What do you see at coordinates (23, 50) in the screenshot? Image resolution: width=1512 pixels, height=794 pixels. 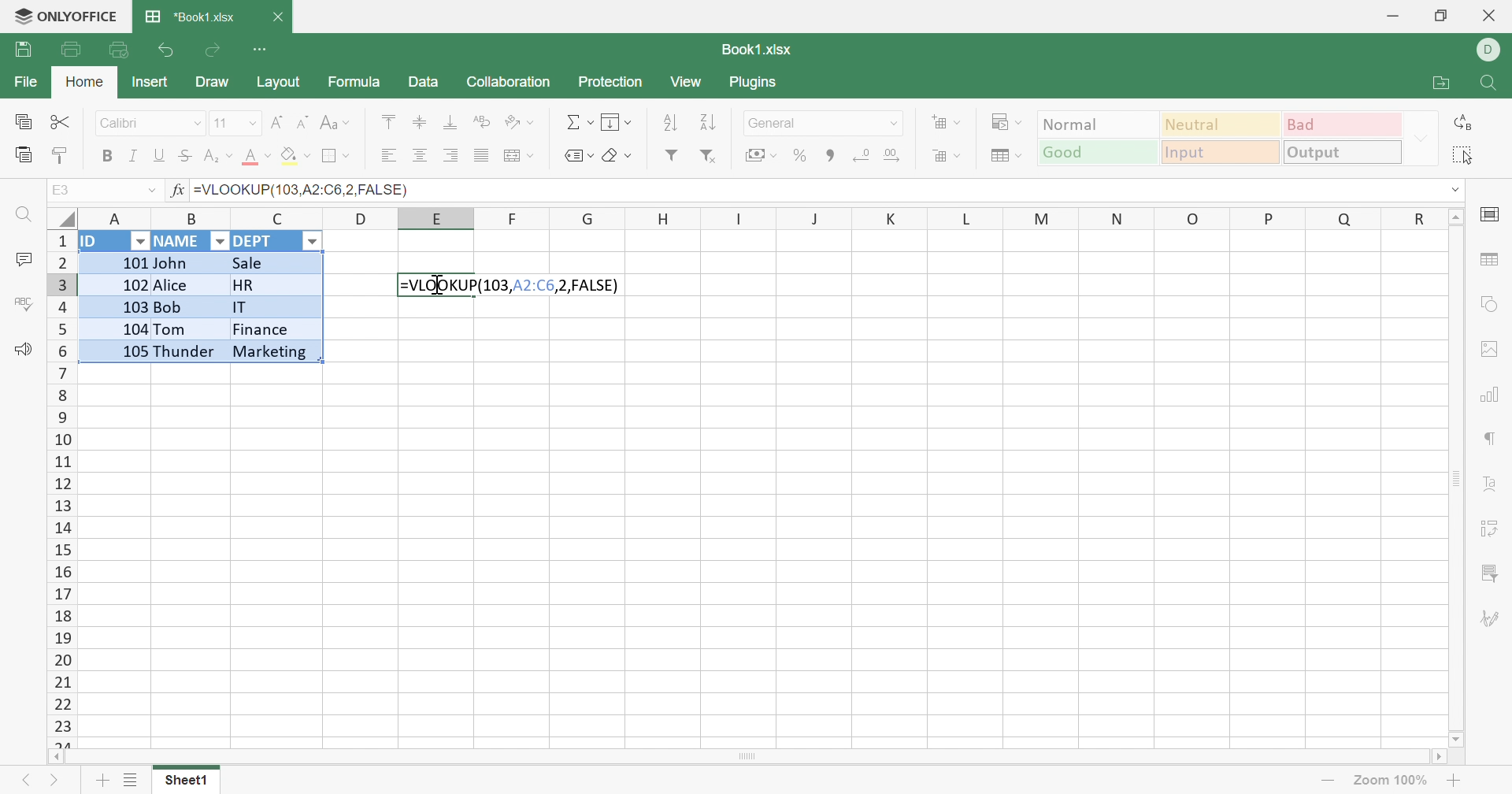 I see `Save` at bounding box center [23, 50].